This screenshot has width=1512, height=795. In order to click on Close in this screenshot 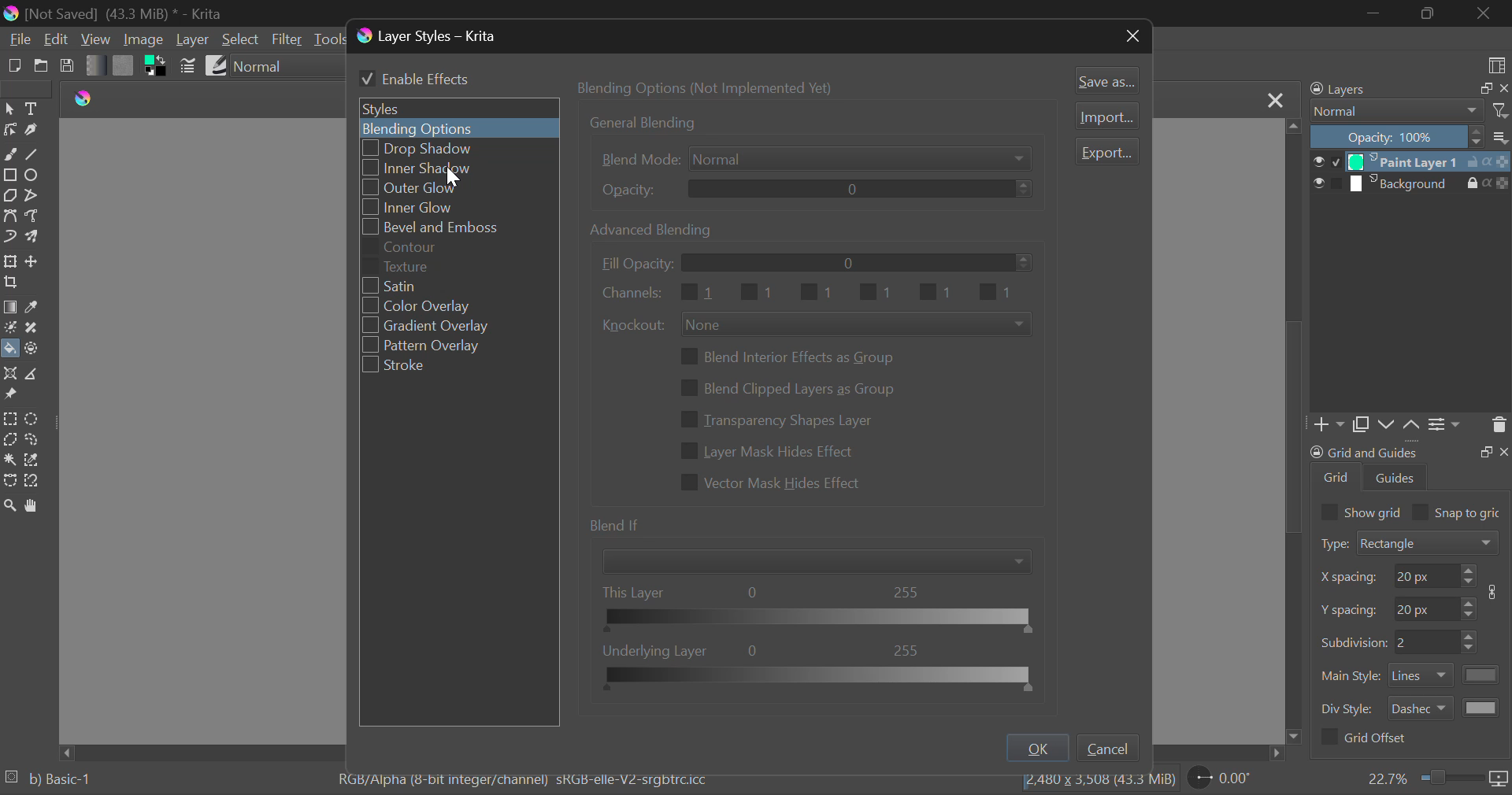, I will do `click(1484, 13)`.